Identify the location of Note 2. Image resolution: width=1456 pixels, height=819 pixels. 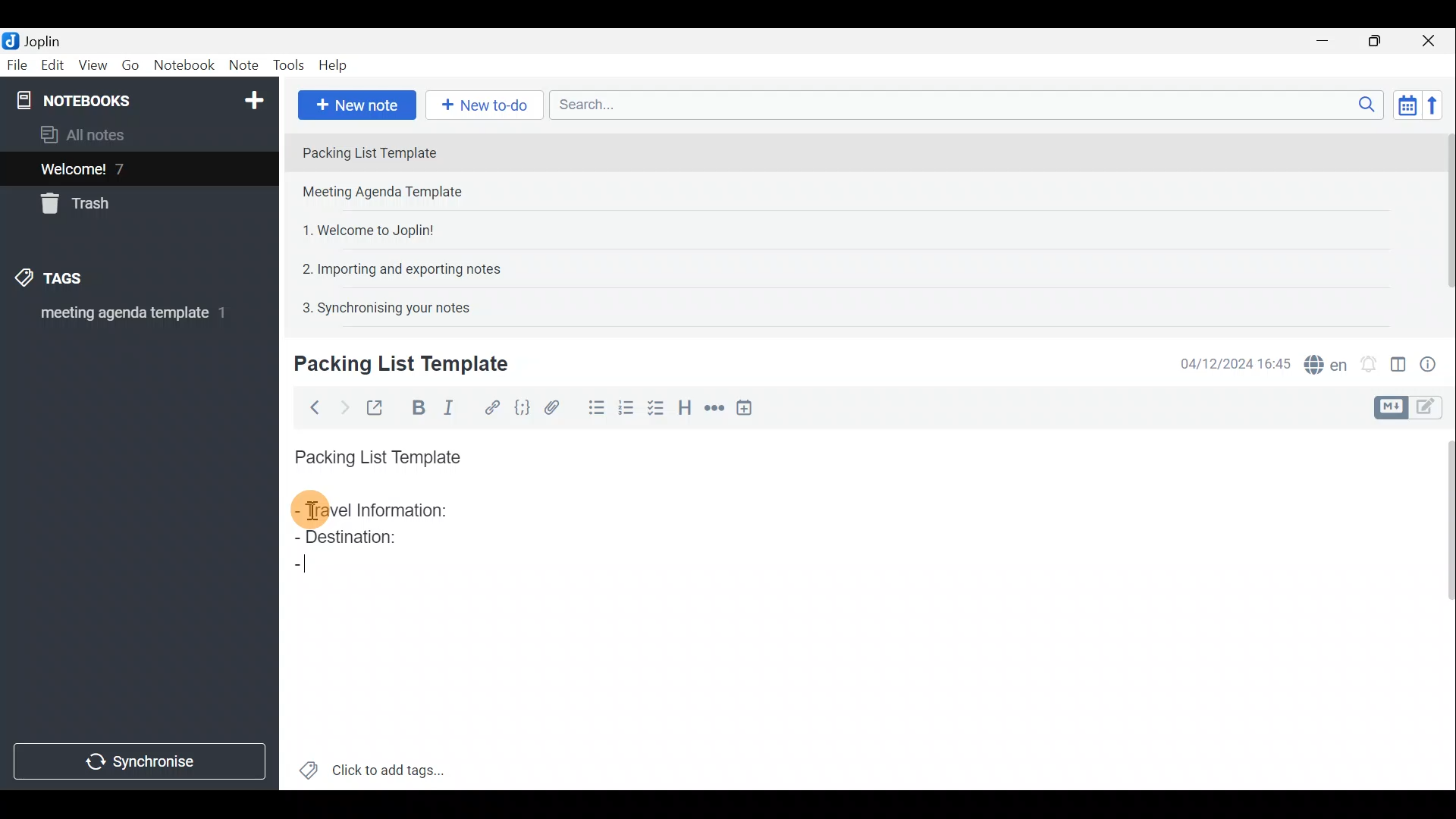
(397, 193).